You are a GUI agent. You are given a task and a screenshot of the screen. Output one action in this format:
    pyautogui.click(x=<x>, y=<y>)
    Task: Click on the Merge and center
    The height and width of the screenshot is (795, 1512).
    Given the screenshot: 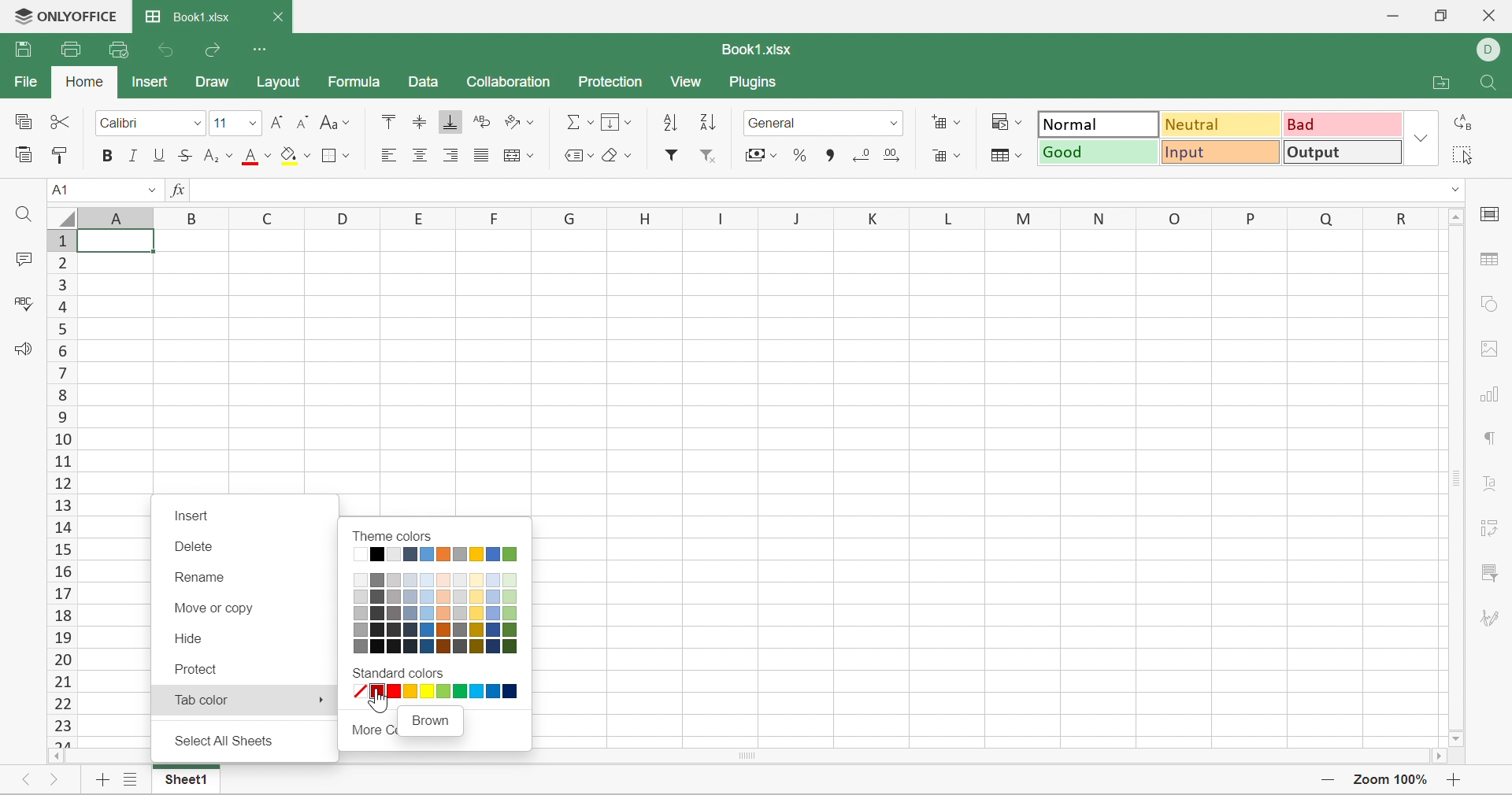 What is the action you would take?
    pyautogui.click(x=521, y=156)
    